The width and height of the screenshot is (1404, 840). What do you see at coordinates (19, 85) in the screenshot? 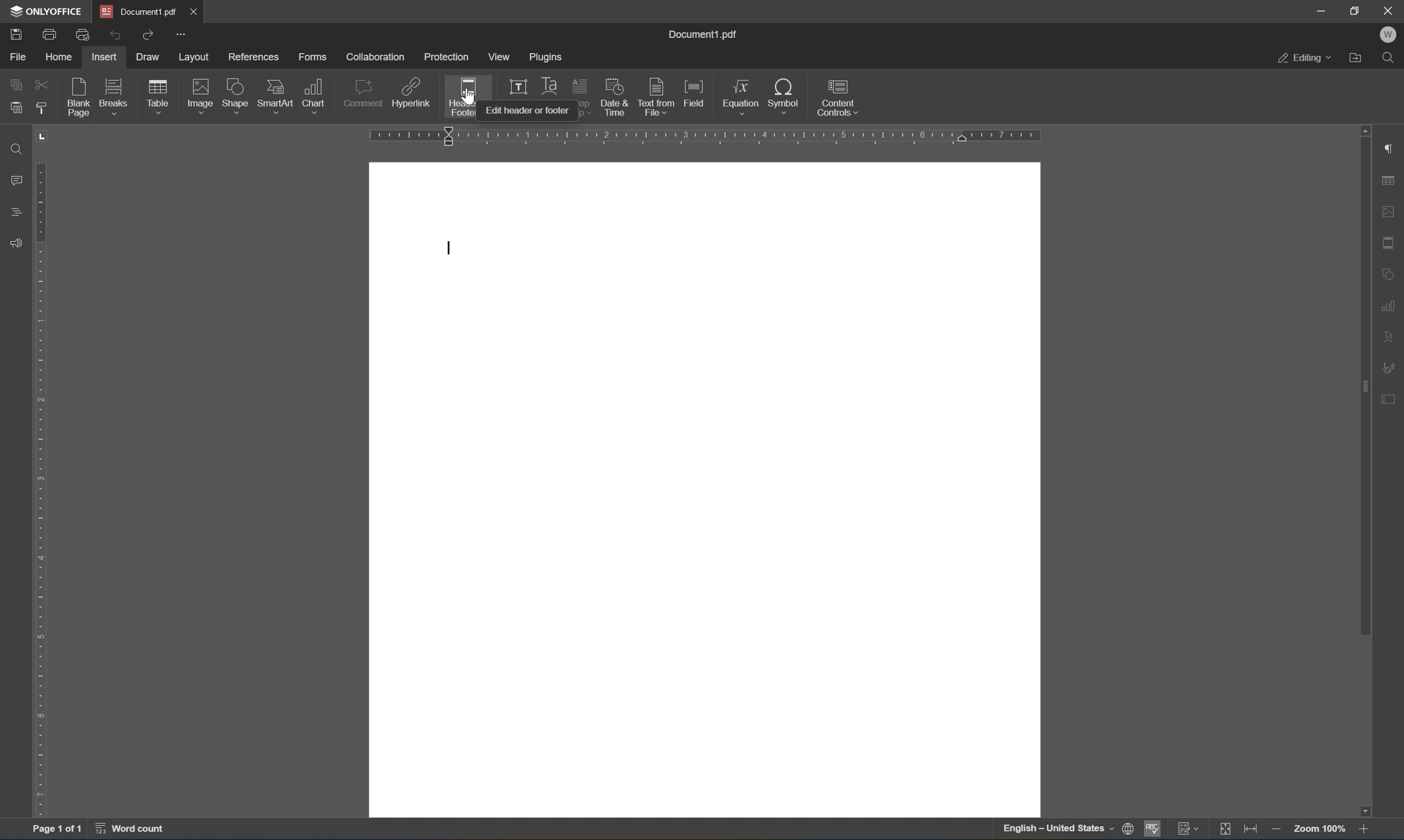
I see `copy` at bounding box center [19, 85].